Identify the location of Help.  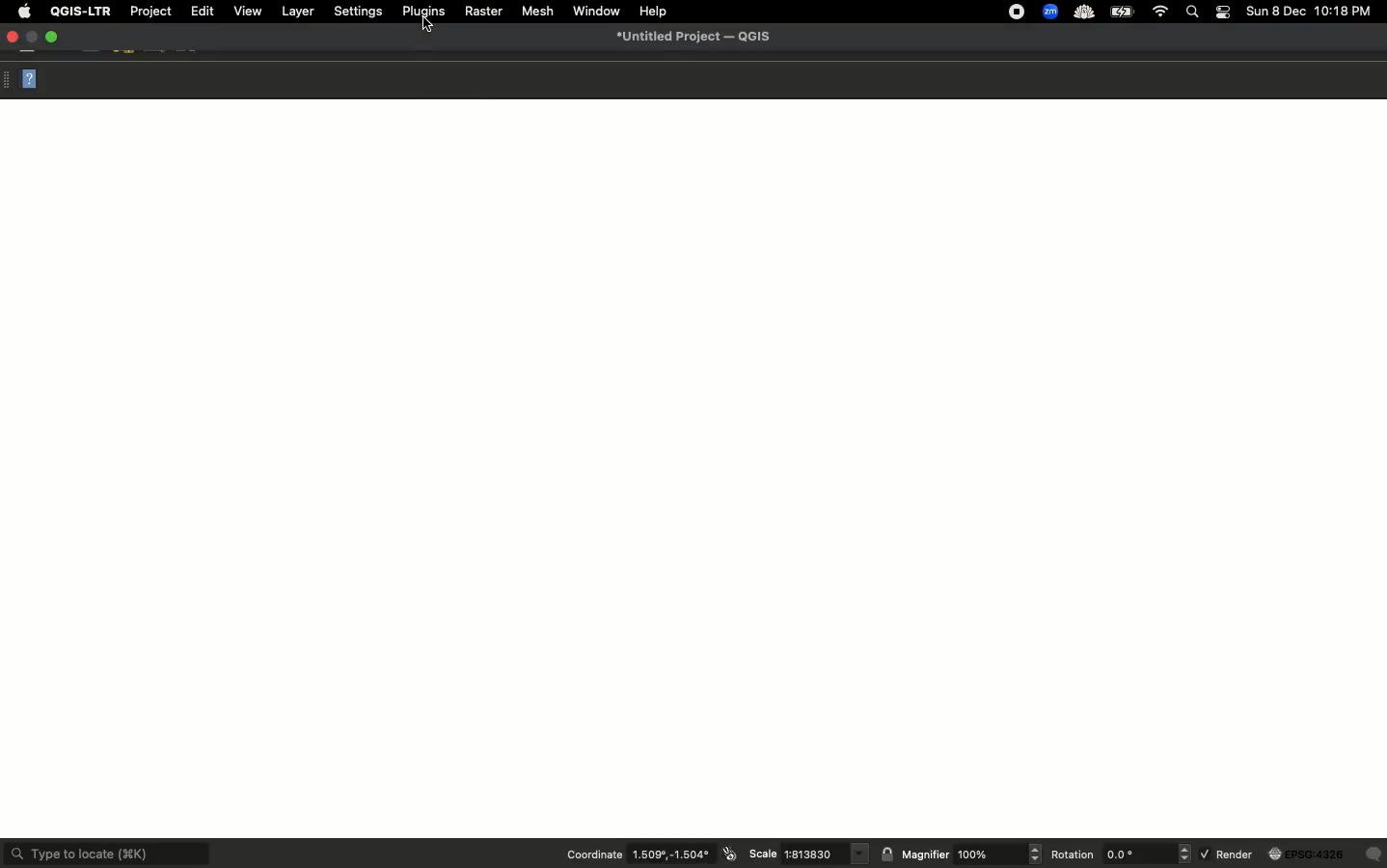
(655, 10).